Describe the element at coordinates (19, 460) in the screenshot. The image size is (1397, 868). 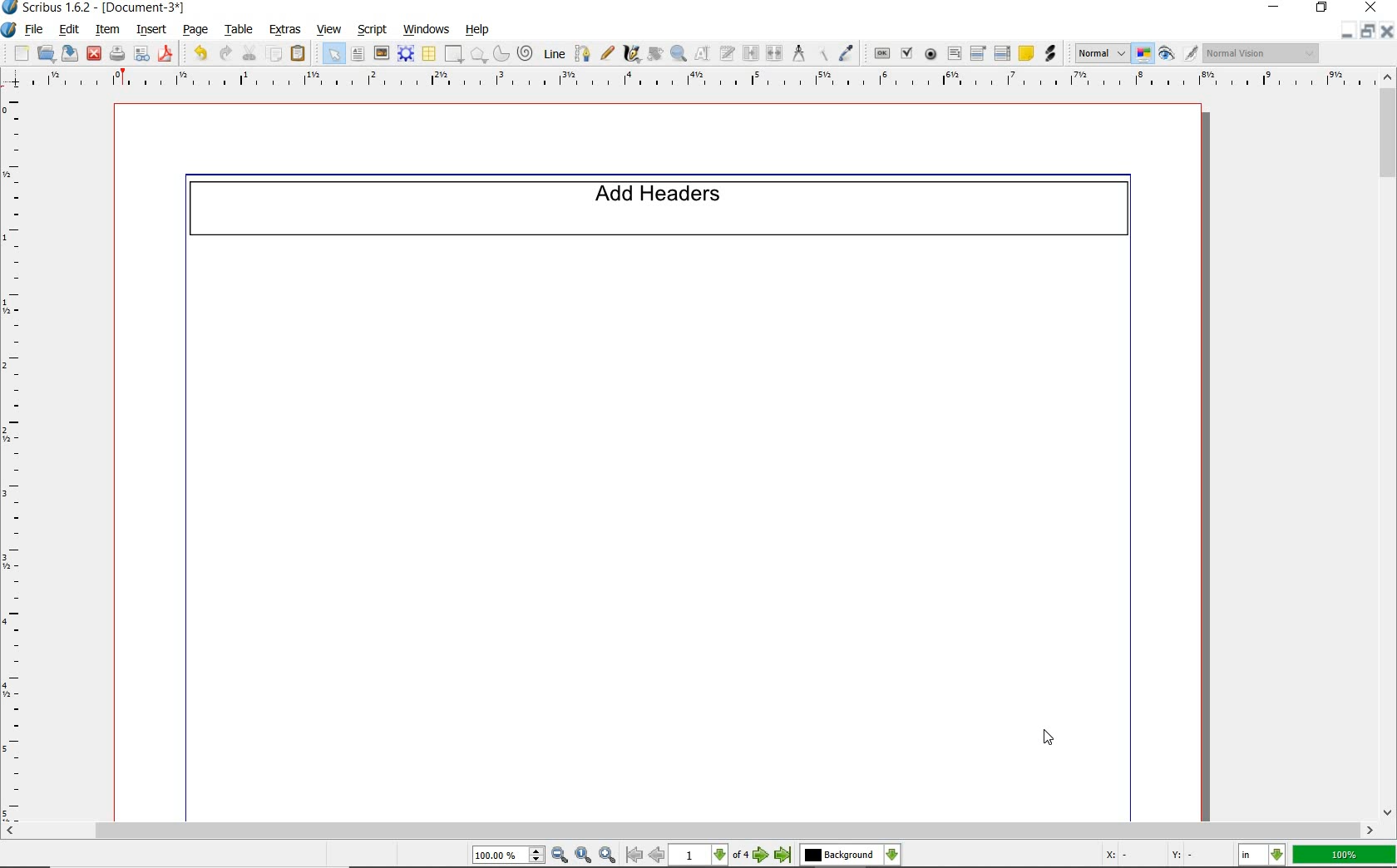
I see `ruler` at that location.